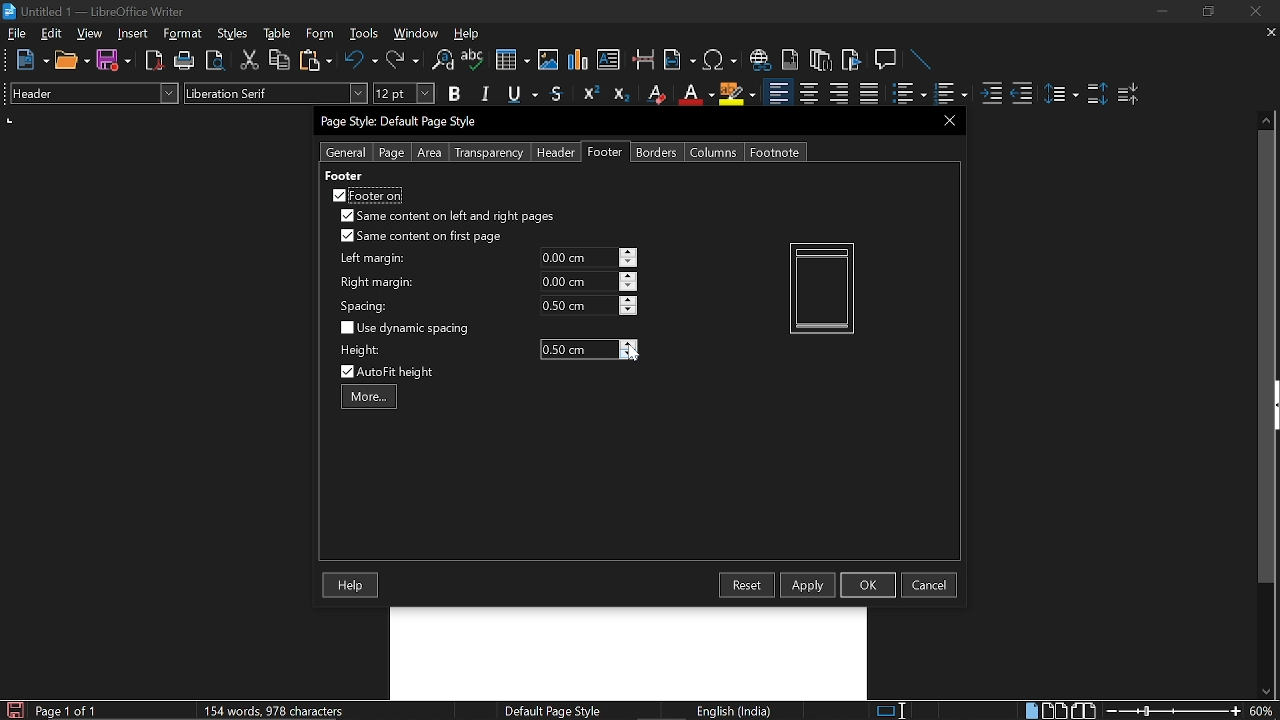  I want to click on Bold, so click(454, 96).